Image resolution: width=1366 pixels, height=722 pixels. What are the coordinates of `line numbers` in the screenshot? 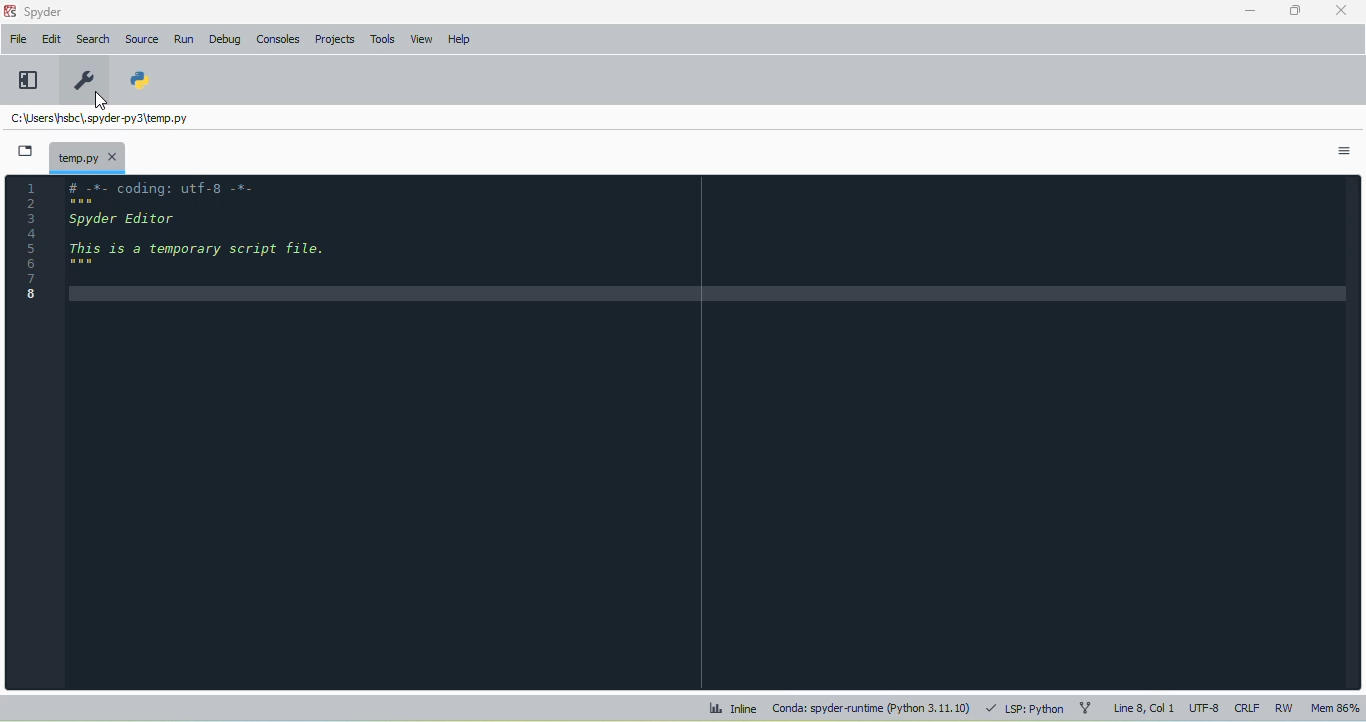 It's located at (31, 240).